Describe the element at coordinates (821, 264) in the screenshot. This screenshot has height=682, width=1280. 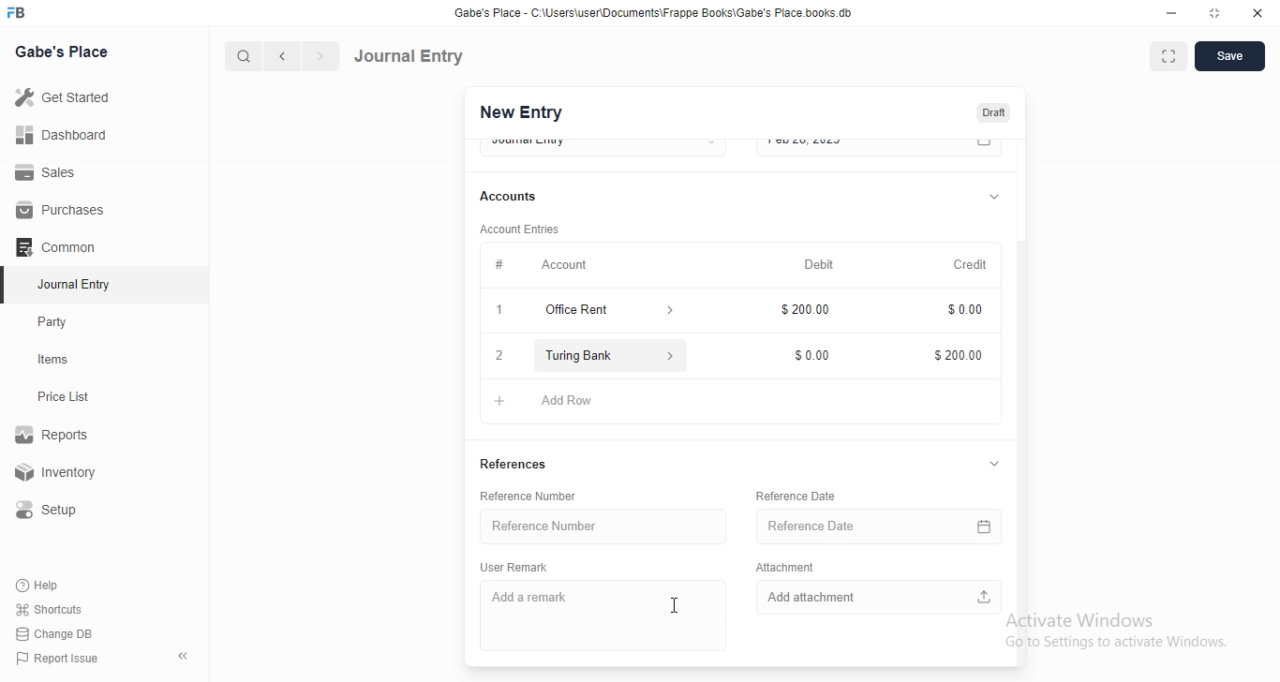
I see `Debit` at that location.